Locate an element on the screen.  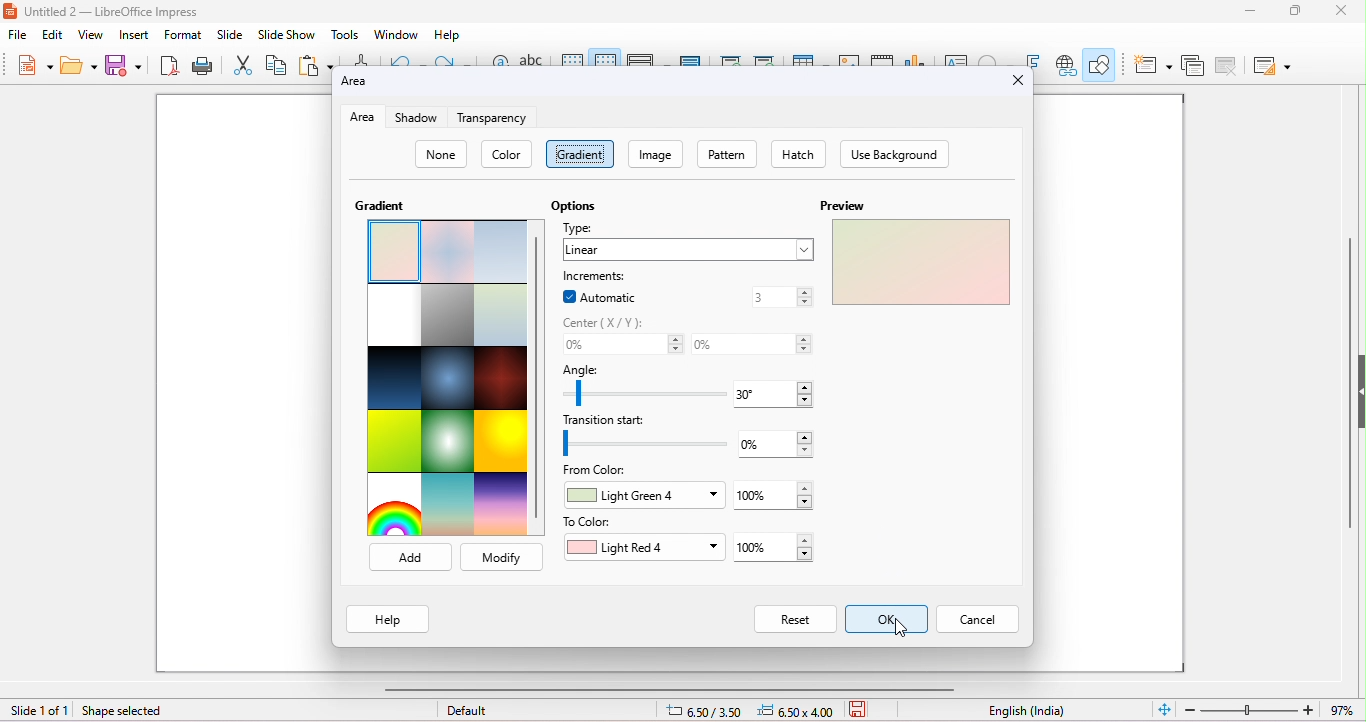
copy is located at coordinates (276, 64).